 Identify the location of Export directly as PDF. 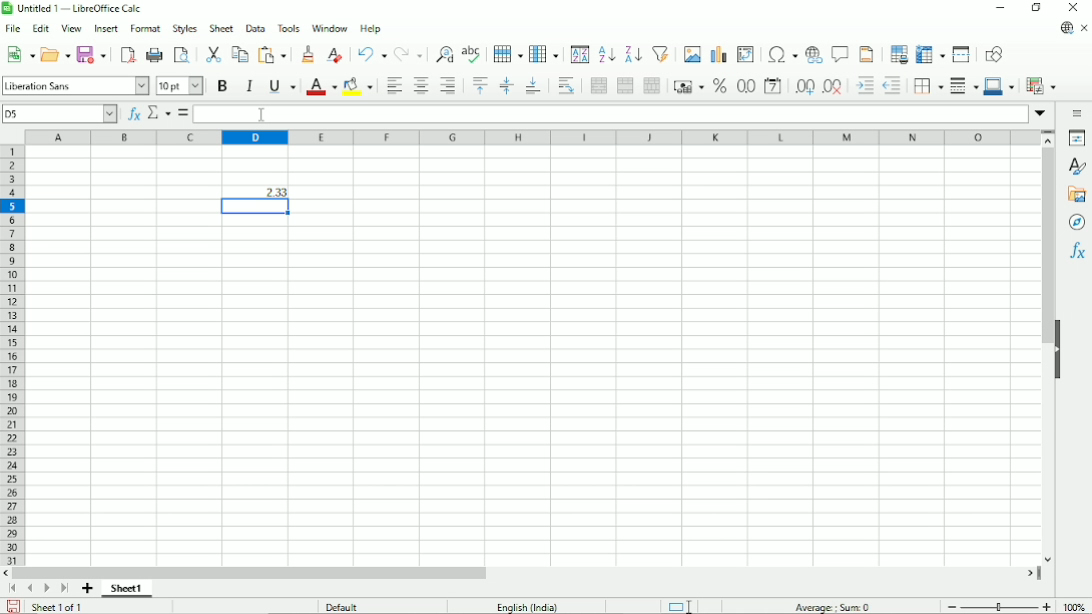
(129, 55).